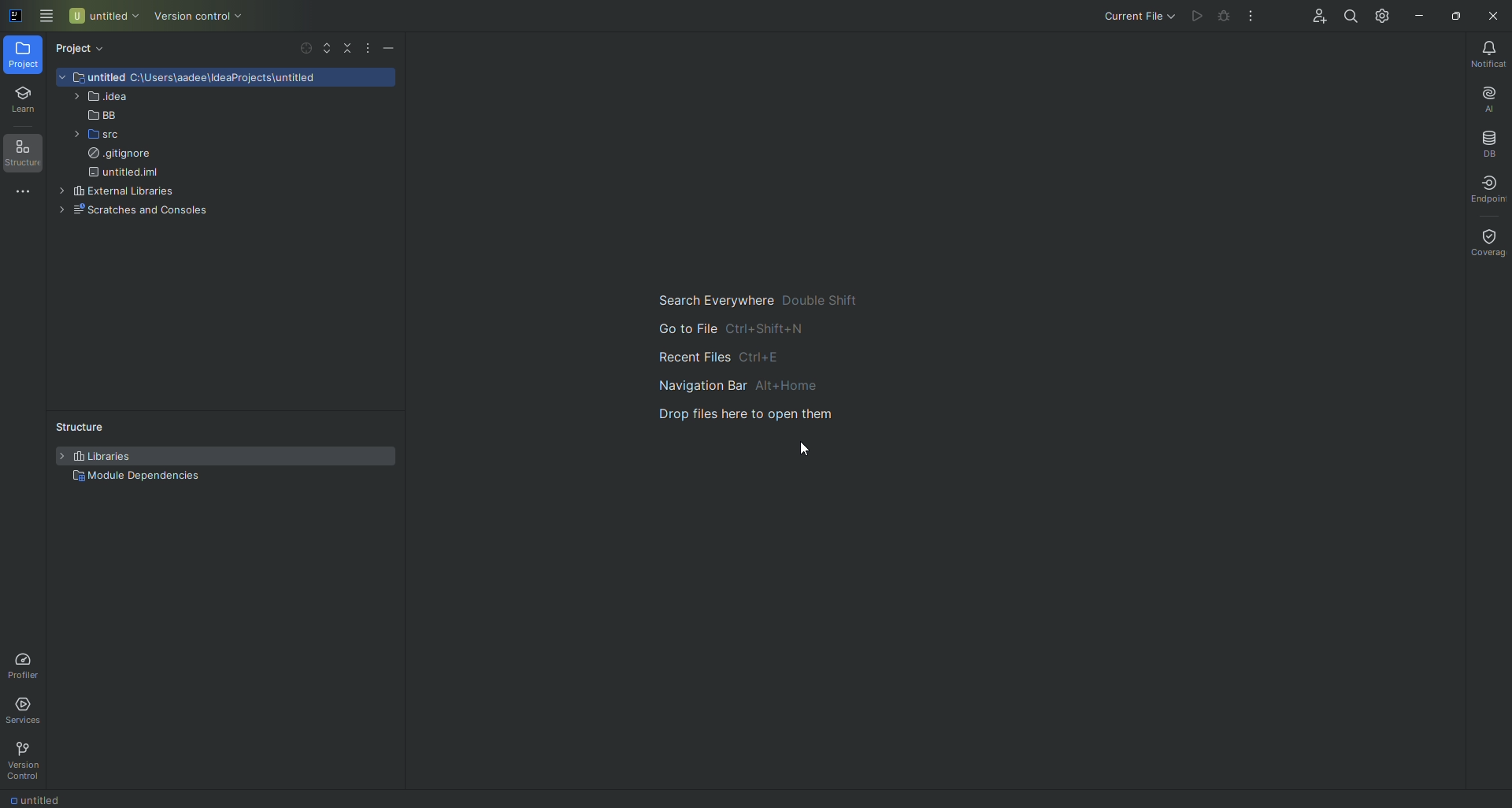 Image resolution: width=1512 pixels, height=808 pixels. What do you see at coordinates (366, 49) in the screenshot?
I see `More options` at bounding box center [366, 49].